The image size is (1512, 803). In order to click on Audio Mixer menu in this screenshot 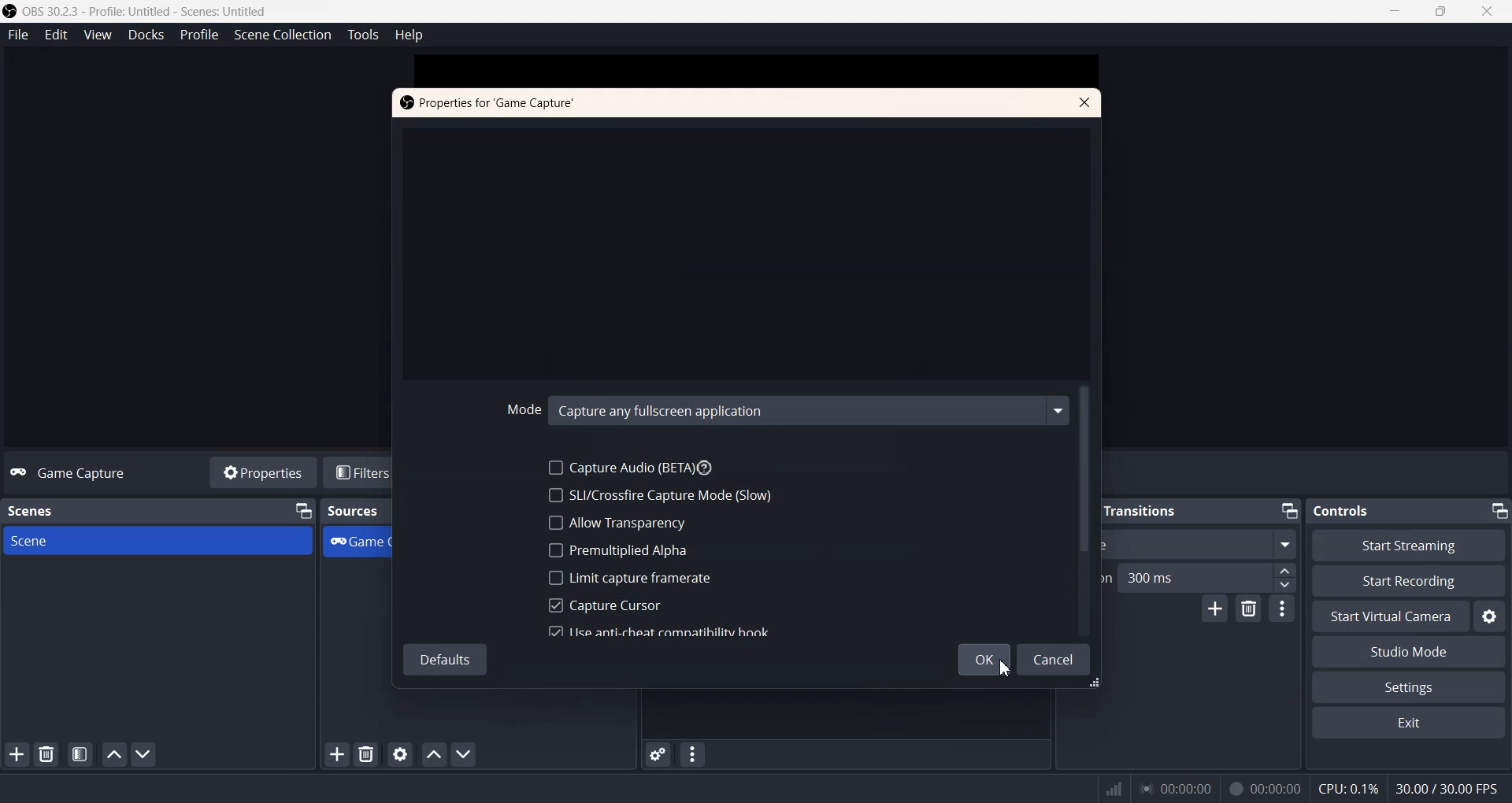, I will do `click(691, 756)`.